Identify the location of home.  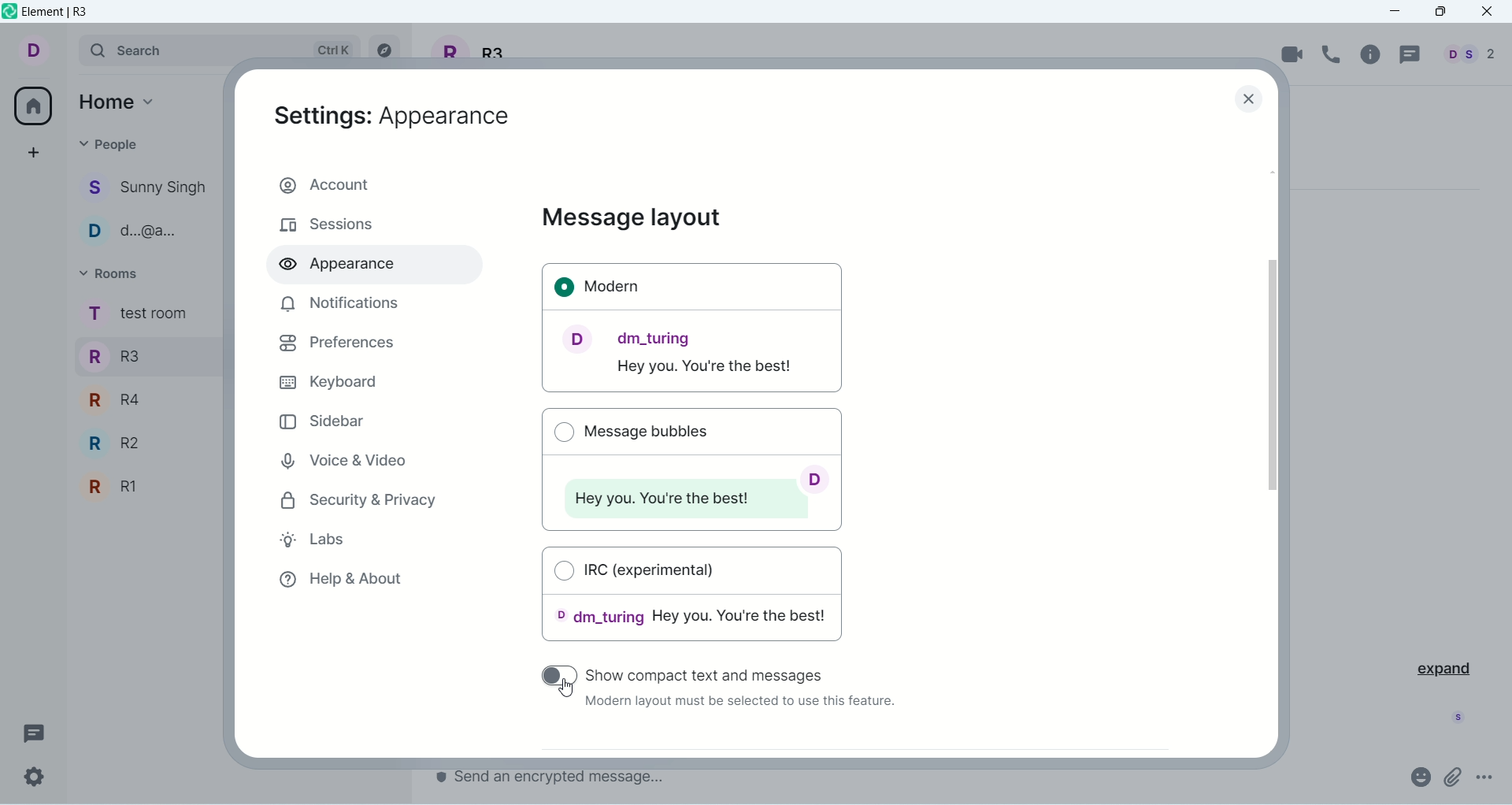
(121, 100).